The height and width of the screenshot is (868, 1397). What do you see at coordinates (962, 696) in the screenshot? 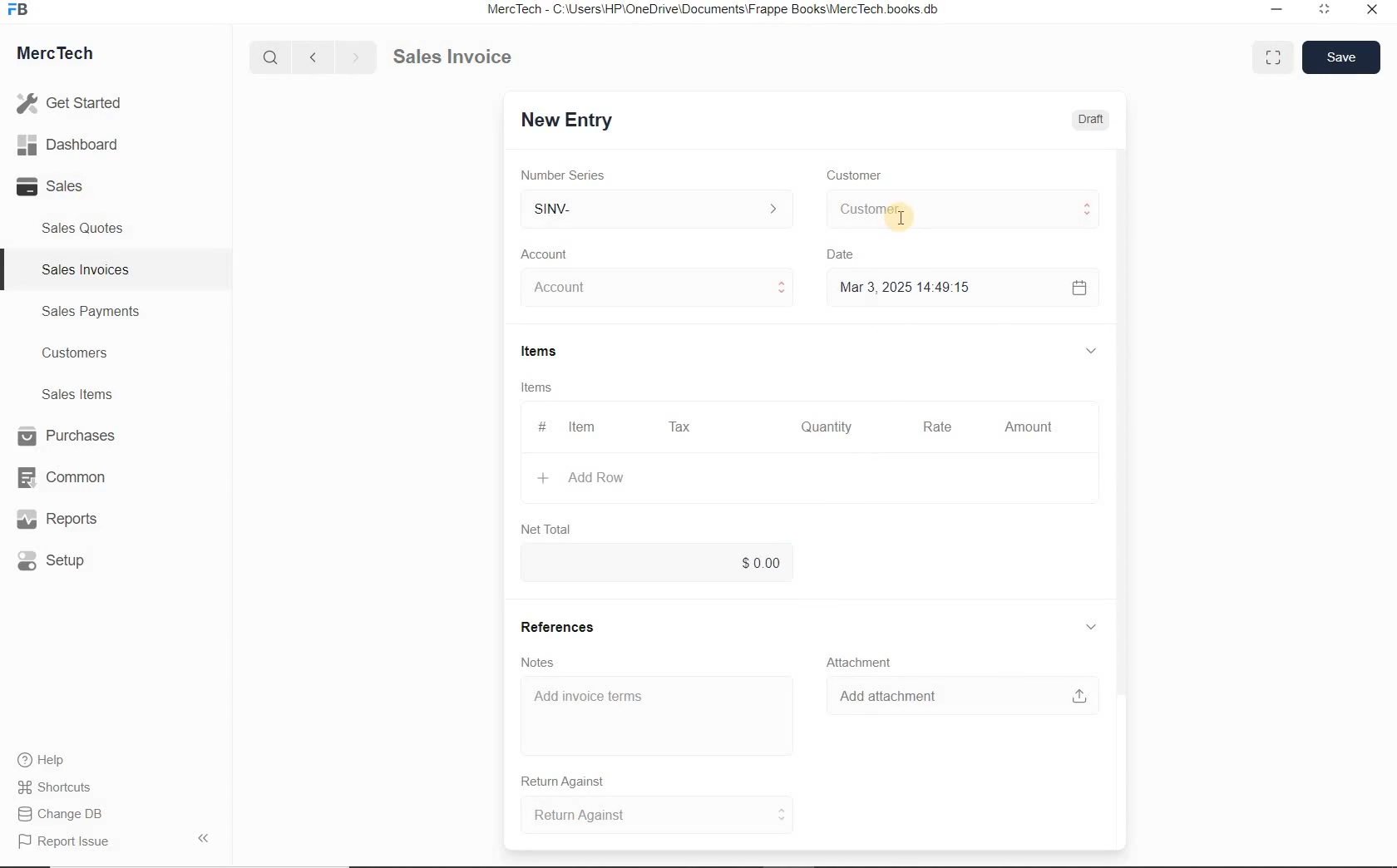
I see `Add attachment` at bounding box center [962, 696].